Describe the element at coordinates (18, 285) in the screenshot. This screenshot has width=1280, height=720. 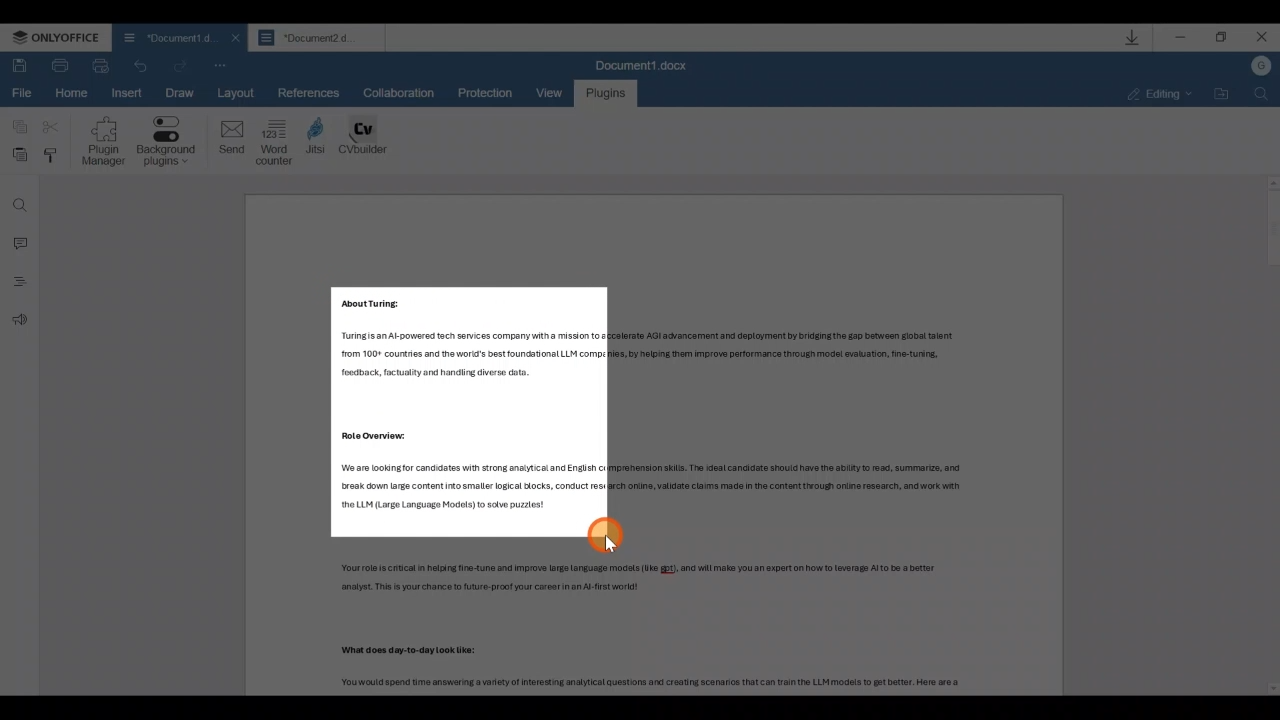
I see `Headings` at that location.